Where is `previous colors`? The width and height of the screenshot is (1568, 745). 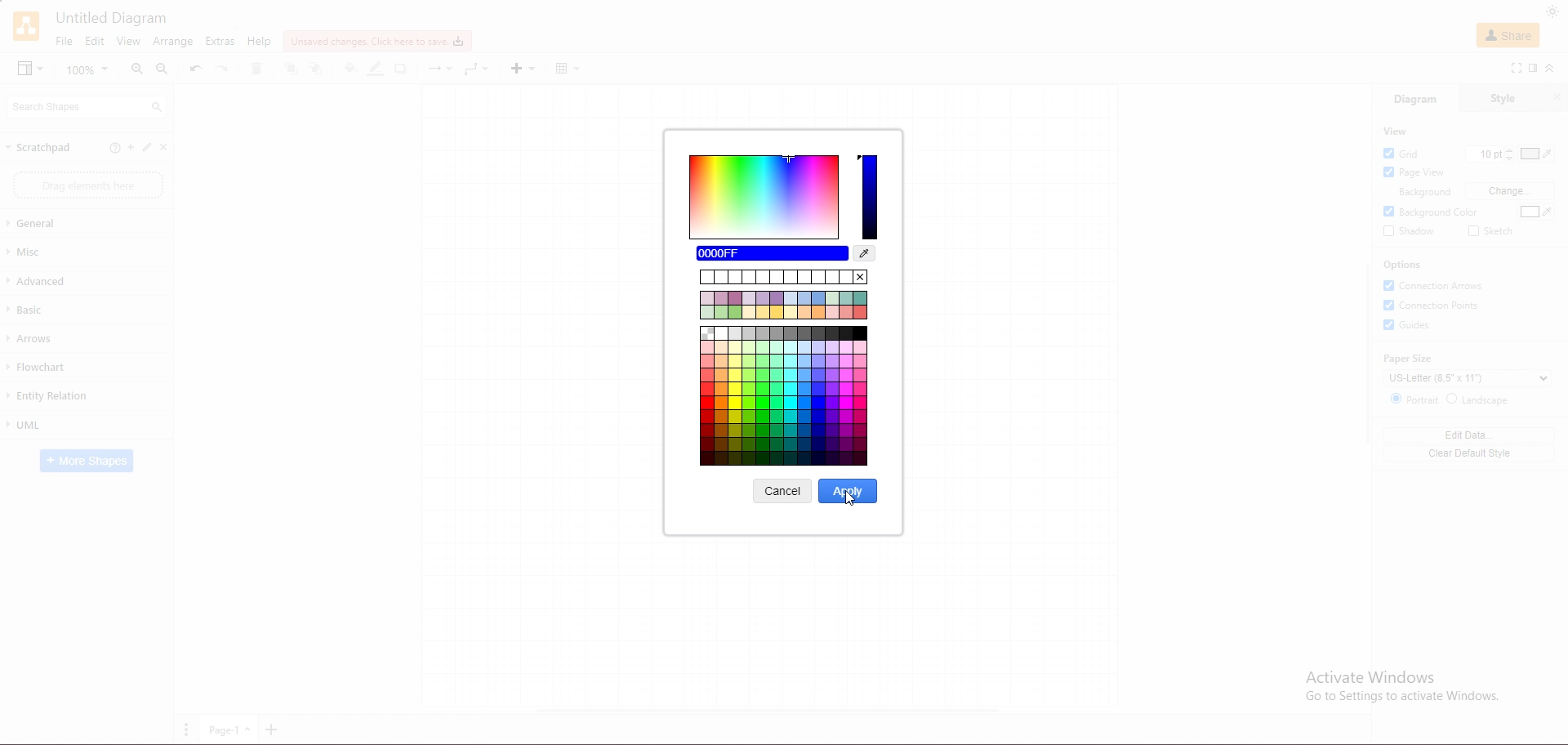 previous colors is located at coordinates (784, 276).